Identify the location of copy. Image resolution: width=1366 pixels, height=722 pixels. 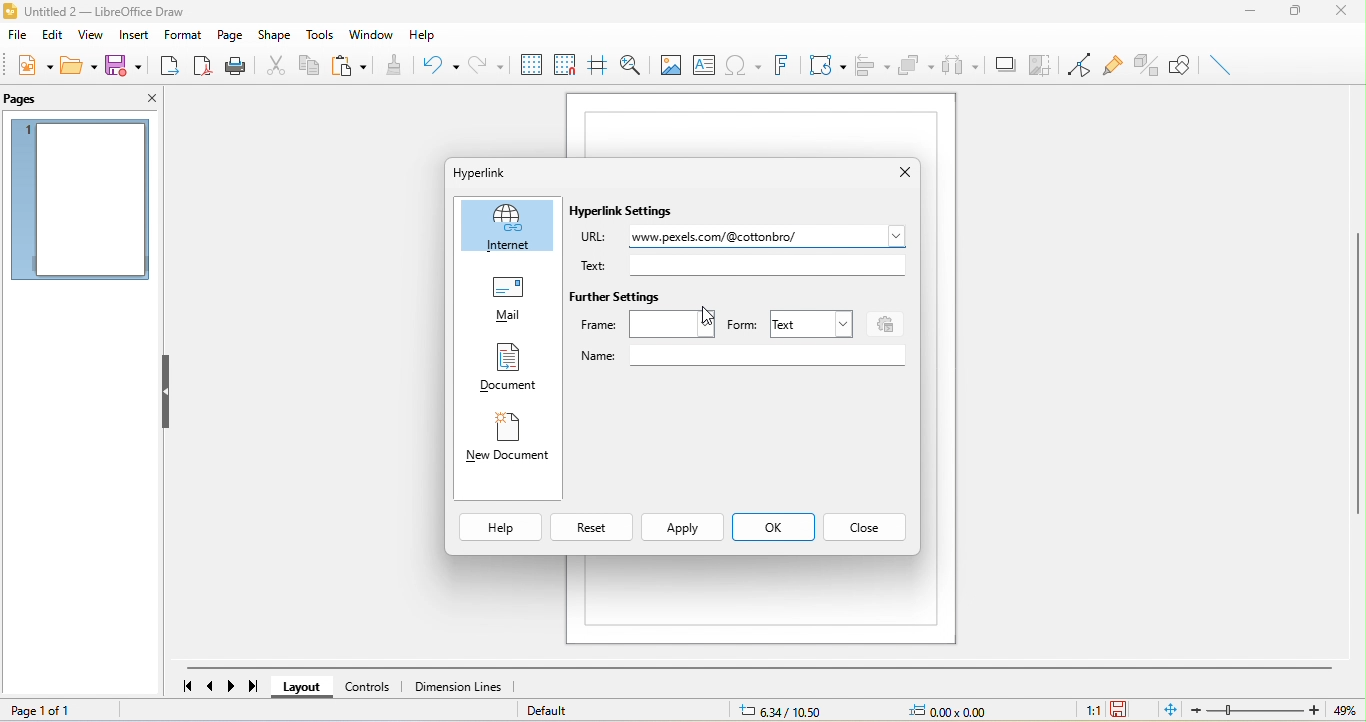
(304, 65).